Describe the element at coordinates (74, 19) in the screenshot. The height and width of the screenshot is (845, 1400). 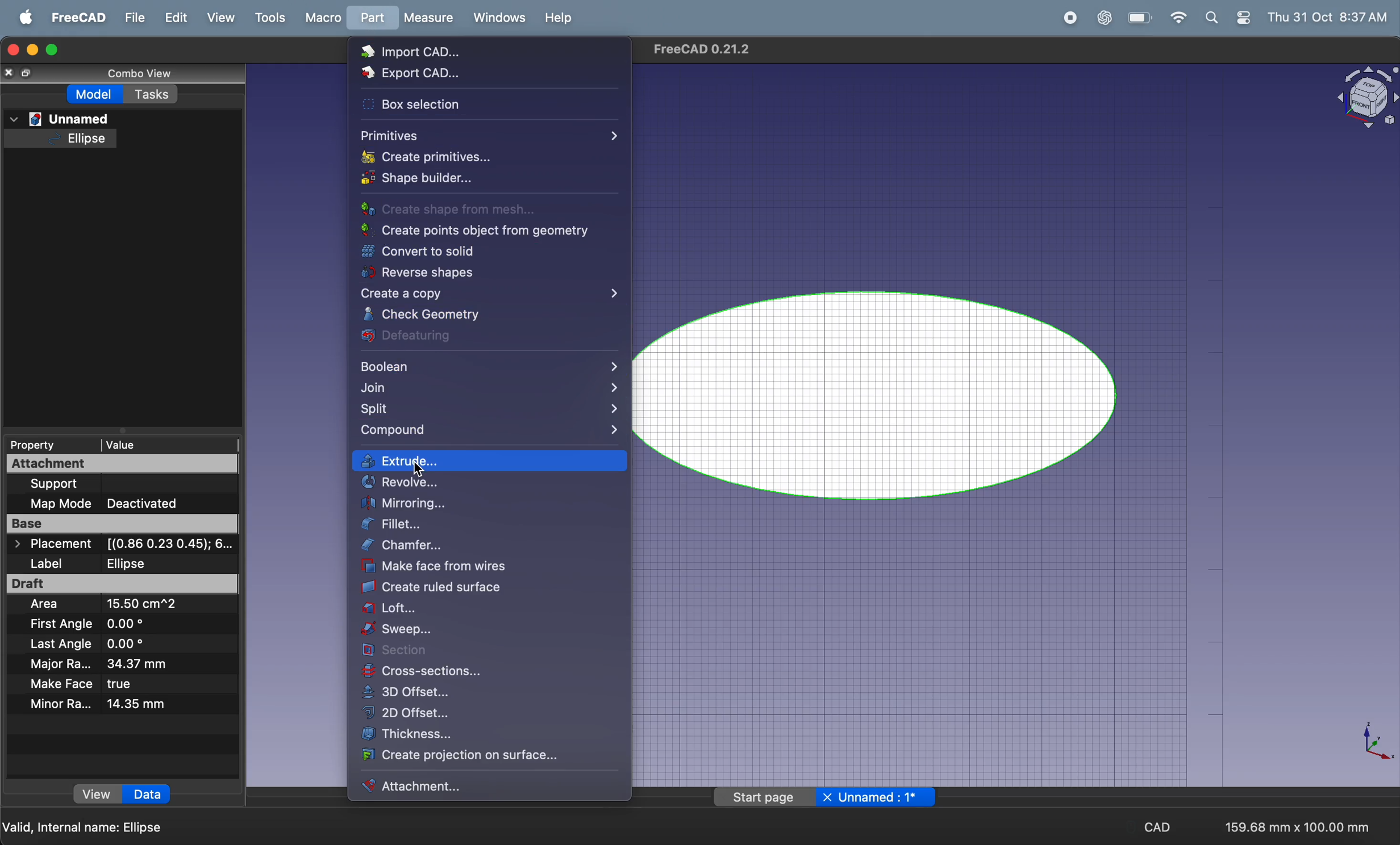
I see `freecad` at that location.